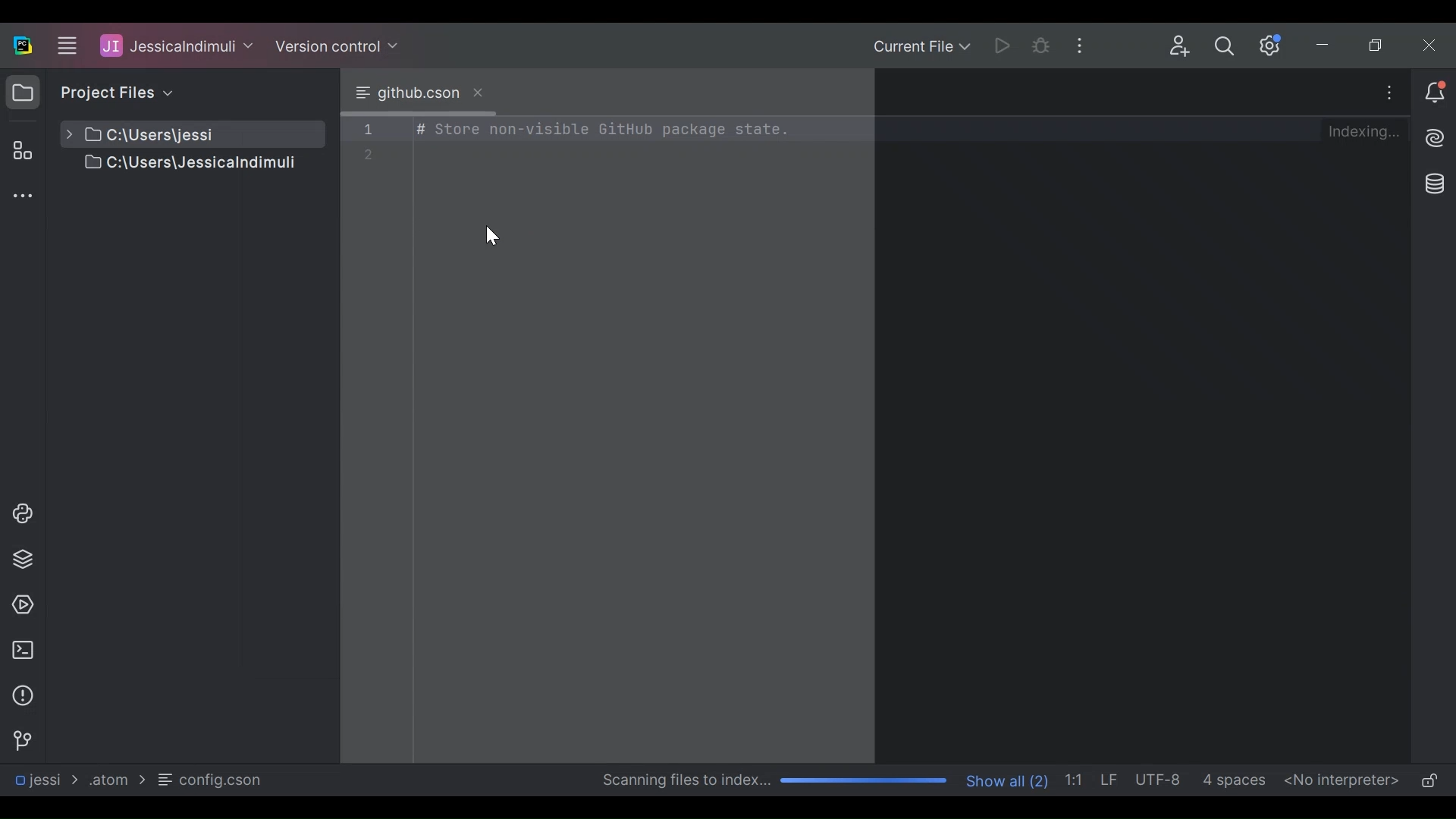 The height and width of the screenshot is (819, 1456). What do you see at coordinates (1111, 780) in the screenshot?
I see `Line Separator` at bounding box center [1111, 780].